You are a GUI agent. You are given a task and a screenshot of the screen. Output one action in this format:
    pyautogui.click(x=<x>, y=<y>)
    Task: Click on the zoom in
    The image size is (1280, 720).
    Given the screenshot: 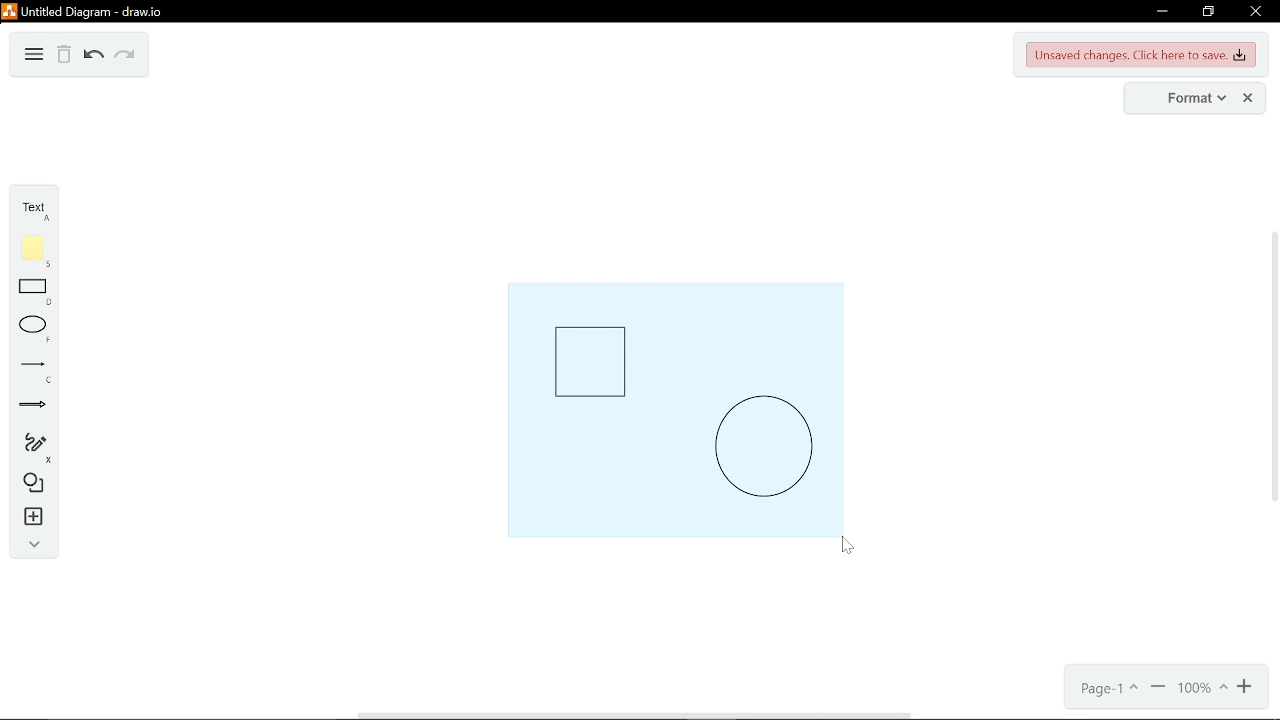 What is the action you would take?
    pyautogui.click(x=1246, y=689)
    